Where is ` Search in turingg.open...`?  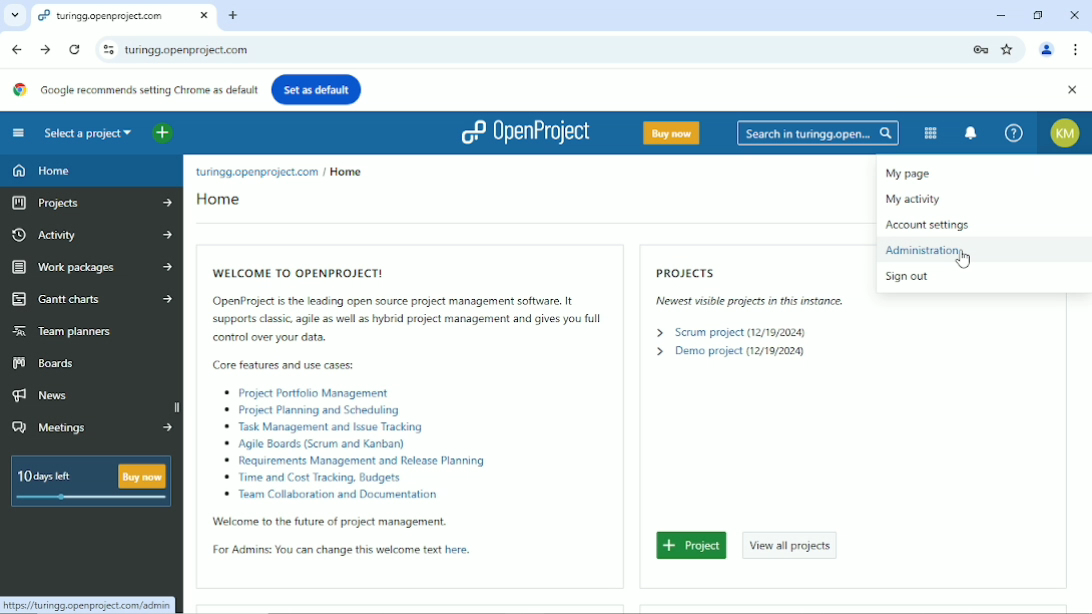
 Search in turingg.open... is located at coordinates (818, 133).